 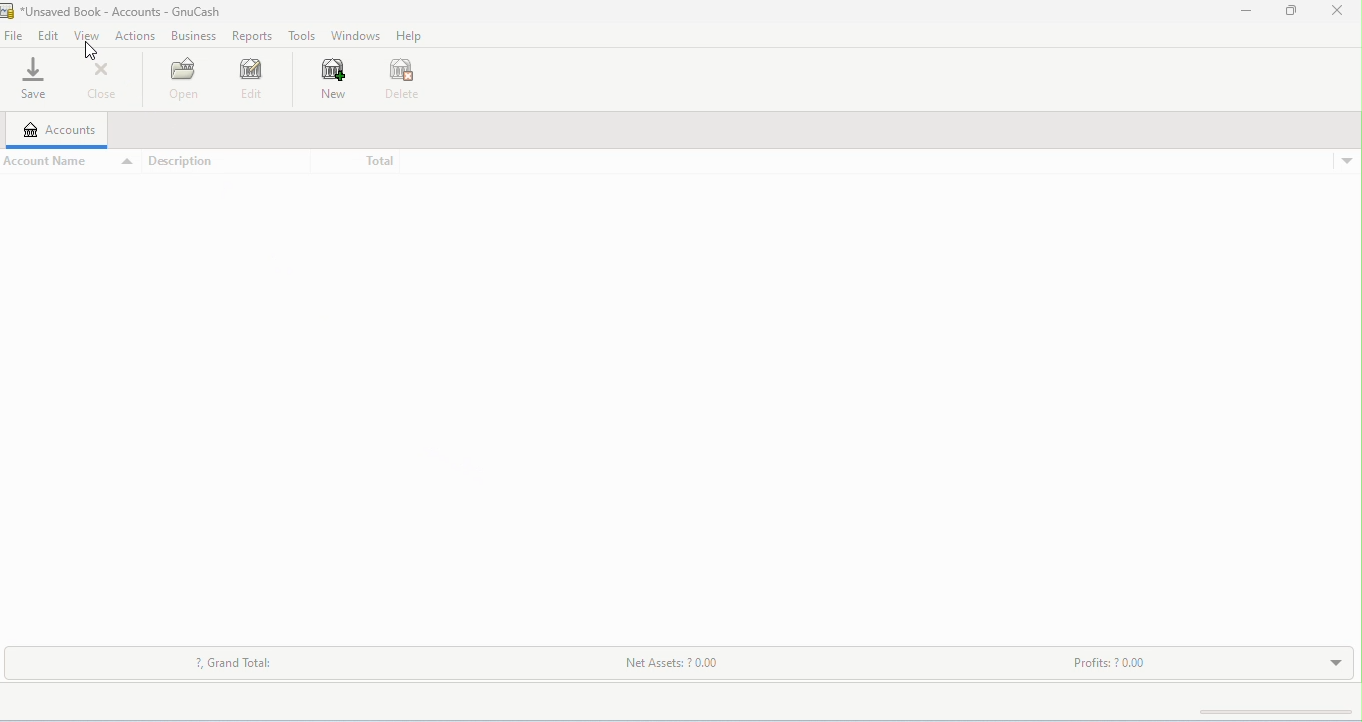 What do you see at coordinates (1288, 10) in the screenshot?
I see `maximize` at bounding box center [1288, 10].